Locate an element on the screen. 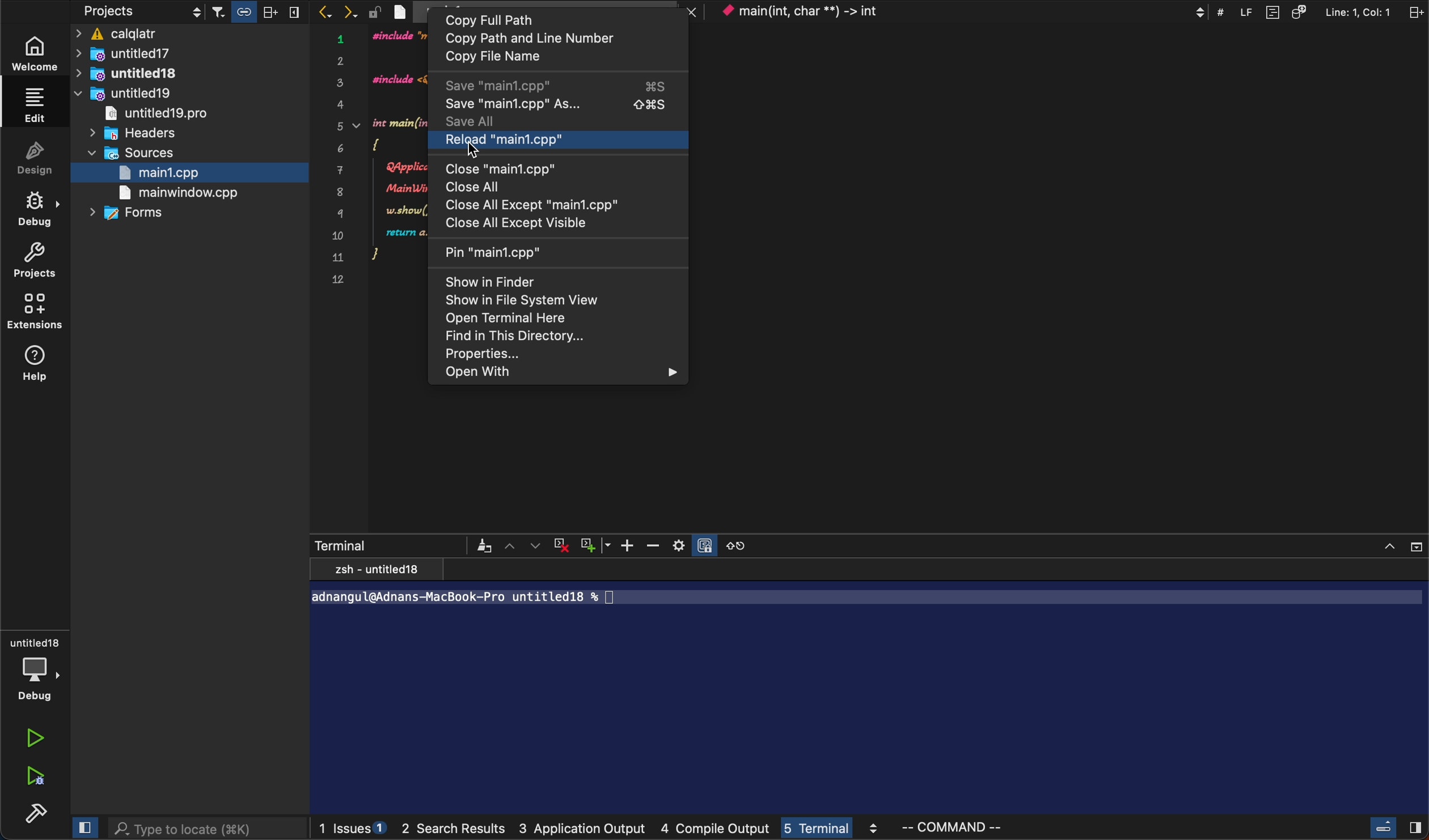  run debug is located at coordinates (37, 775).